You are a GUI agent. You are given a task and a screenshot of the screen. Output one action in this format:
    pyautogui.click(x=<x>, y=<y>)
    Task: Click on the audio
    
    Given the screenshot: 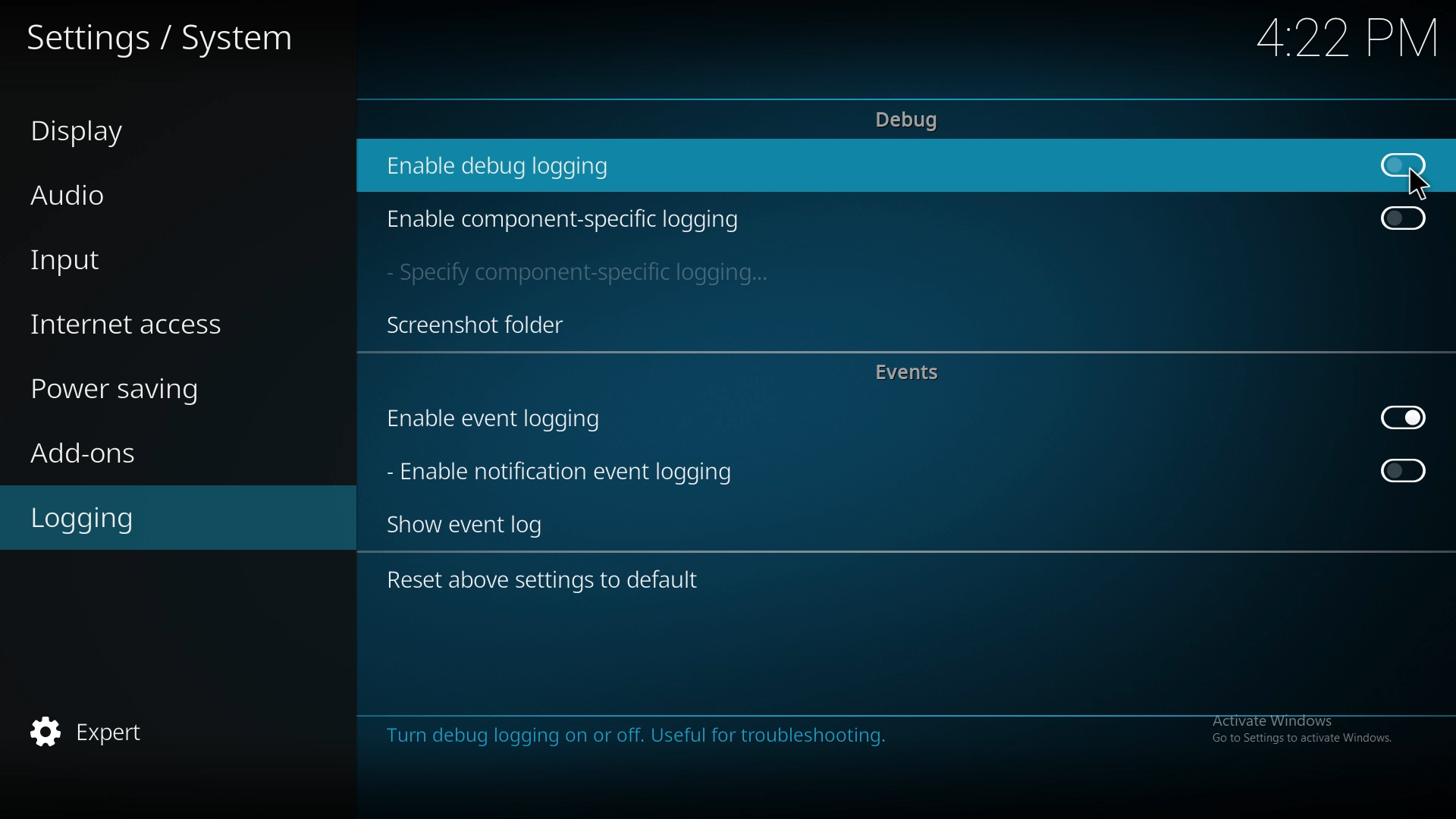 What is the action you would take?
    pyautogui.click(x=155, y=192)
    